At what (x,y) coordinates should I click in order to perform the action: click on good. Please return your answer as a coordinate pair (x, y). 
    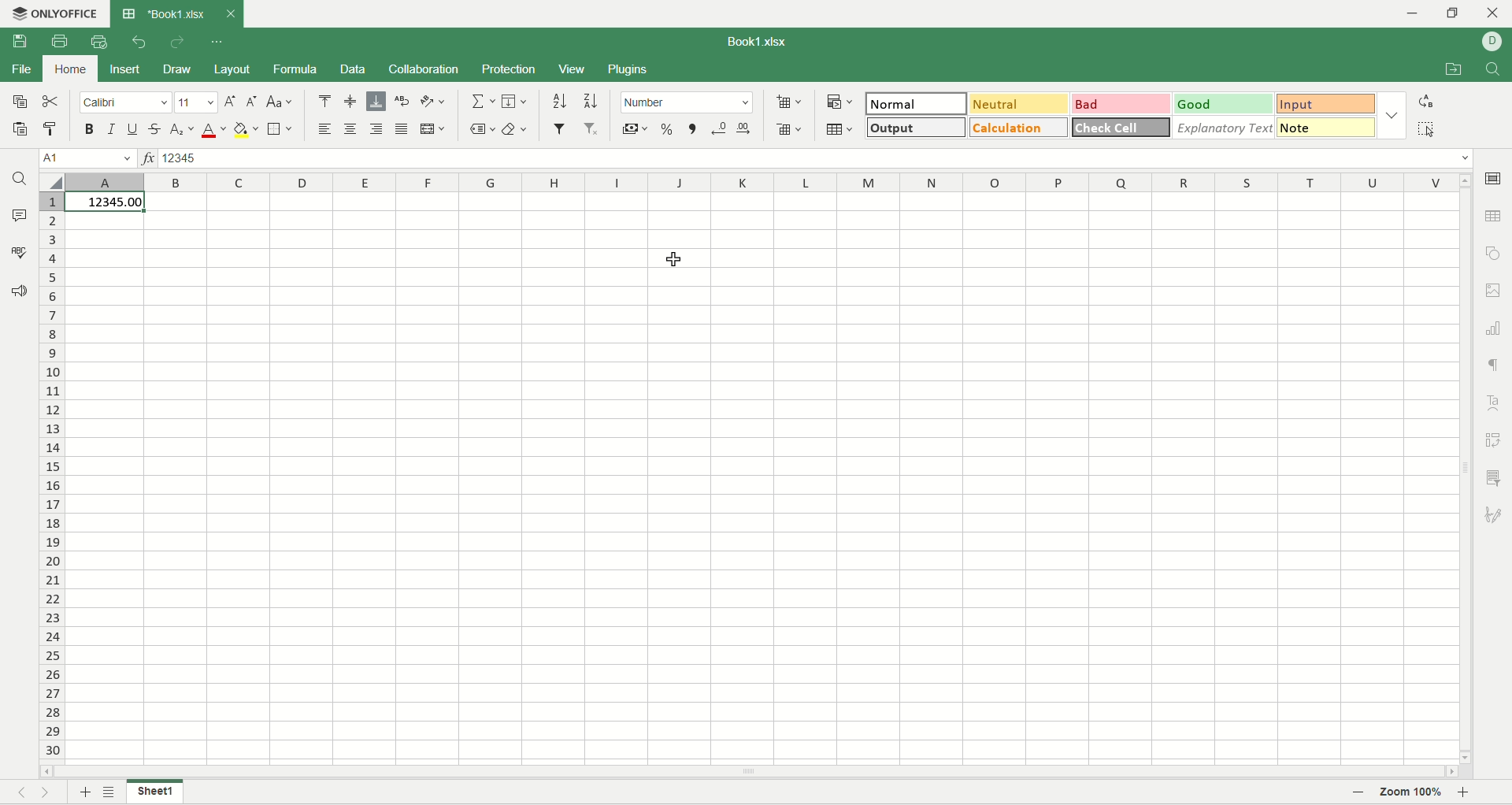
    Looking at the image, I should click on (1225, 101).